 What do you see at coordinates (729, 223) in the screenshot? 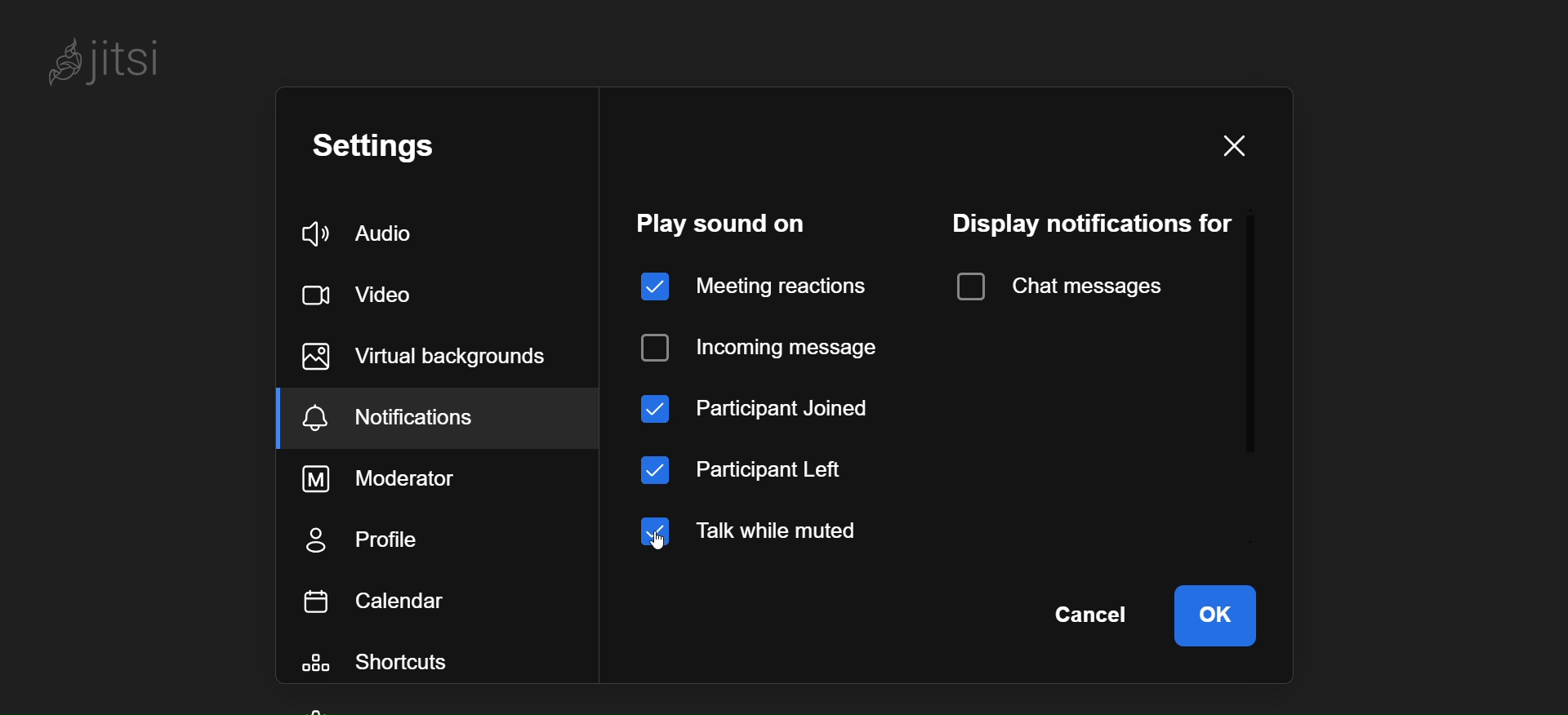
I see `play sound on` at bounding box center [729, 223].